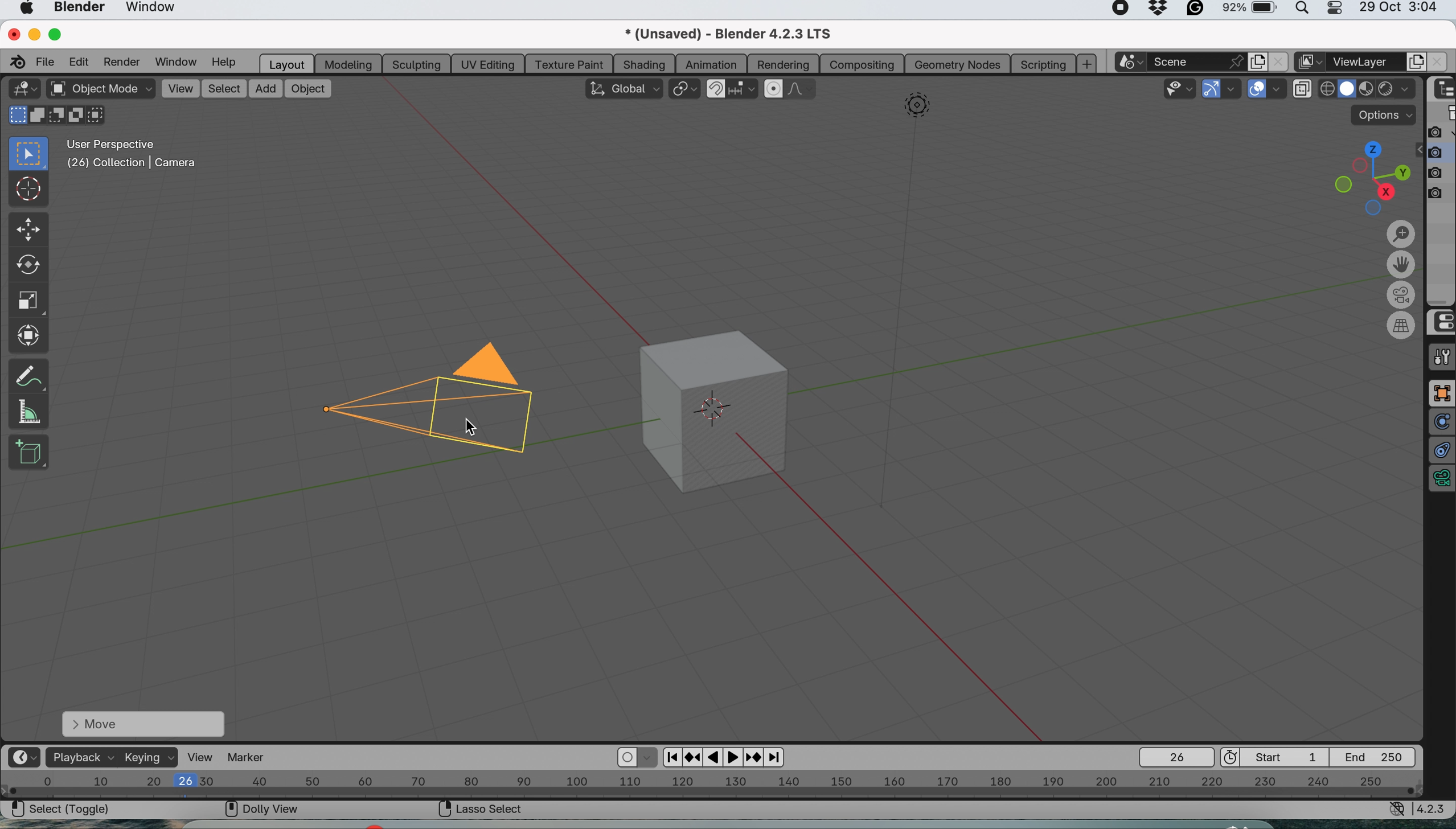 Image resolution: width=1456 pixels, height=829 pixels. What do you see at coordinates (130, 154) in the screenshot?
I see `User perspective (26) | Camera` at bounding box center [130, 154].